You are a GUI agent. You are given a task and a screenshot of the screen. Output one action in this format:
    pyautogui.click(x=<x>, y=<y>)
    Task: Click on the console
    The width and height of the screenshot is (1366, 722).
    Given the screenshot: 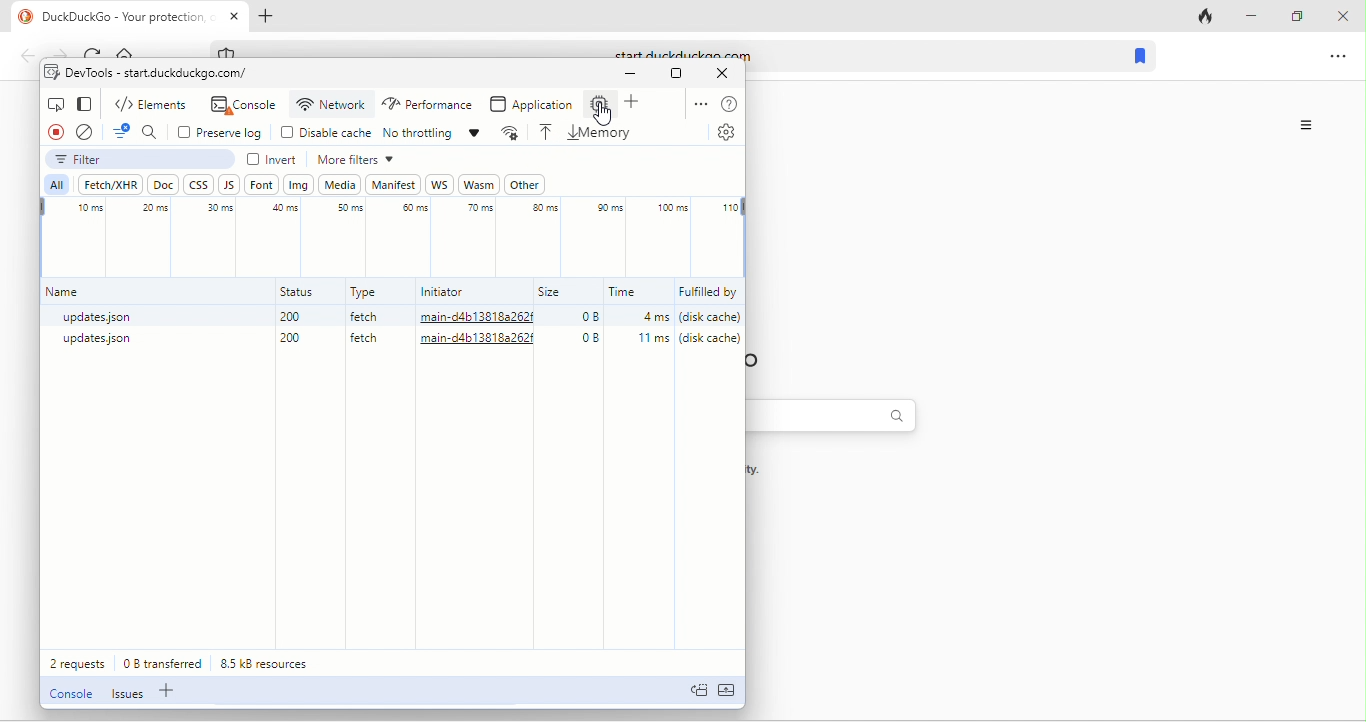 What is the action you would take?
    pyautogui.click(x=248, y=105)
    